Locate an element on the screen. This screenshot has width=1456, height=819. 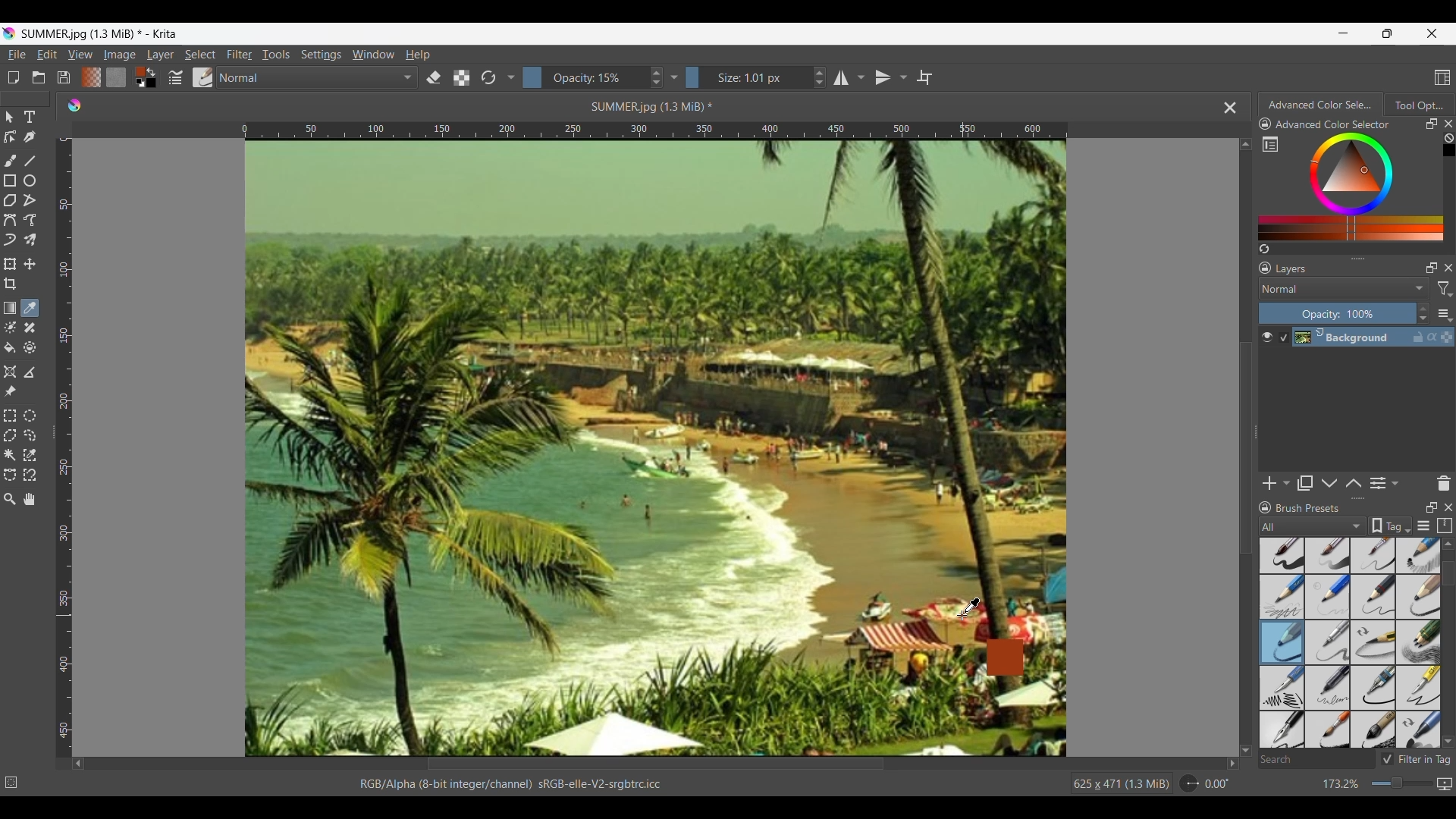
Similar color selection tool is located at coordinates (29, 455).